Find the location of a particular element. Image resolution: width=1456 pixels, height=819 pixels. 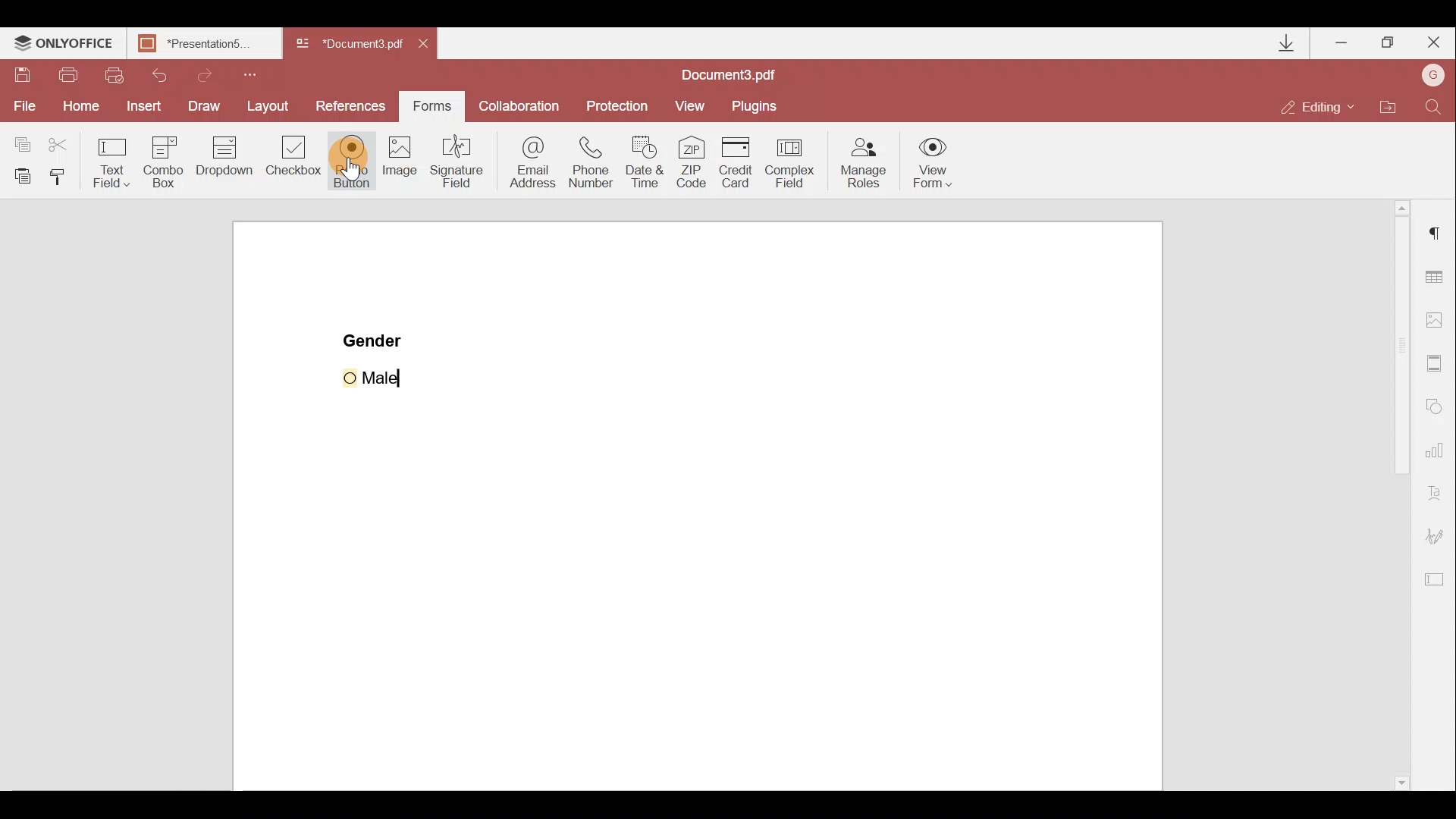

Copy is located at coordinates (19, 140).